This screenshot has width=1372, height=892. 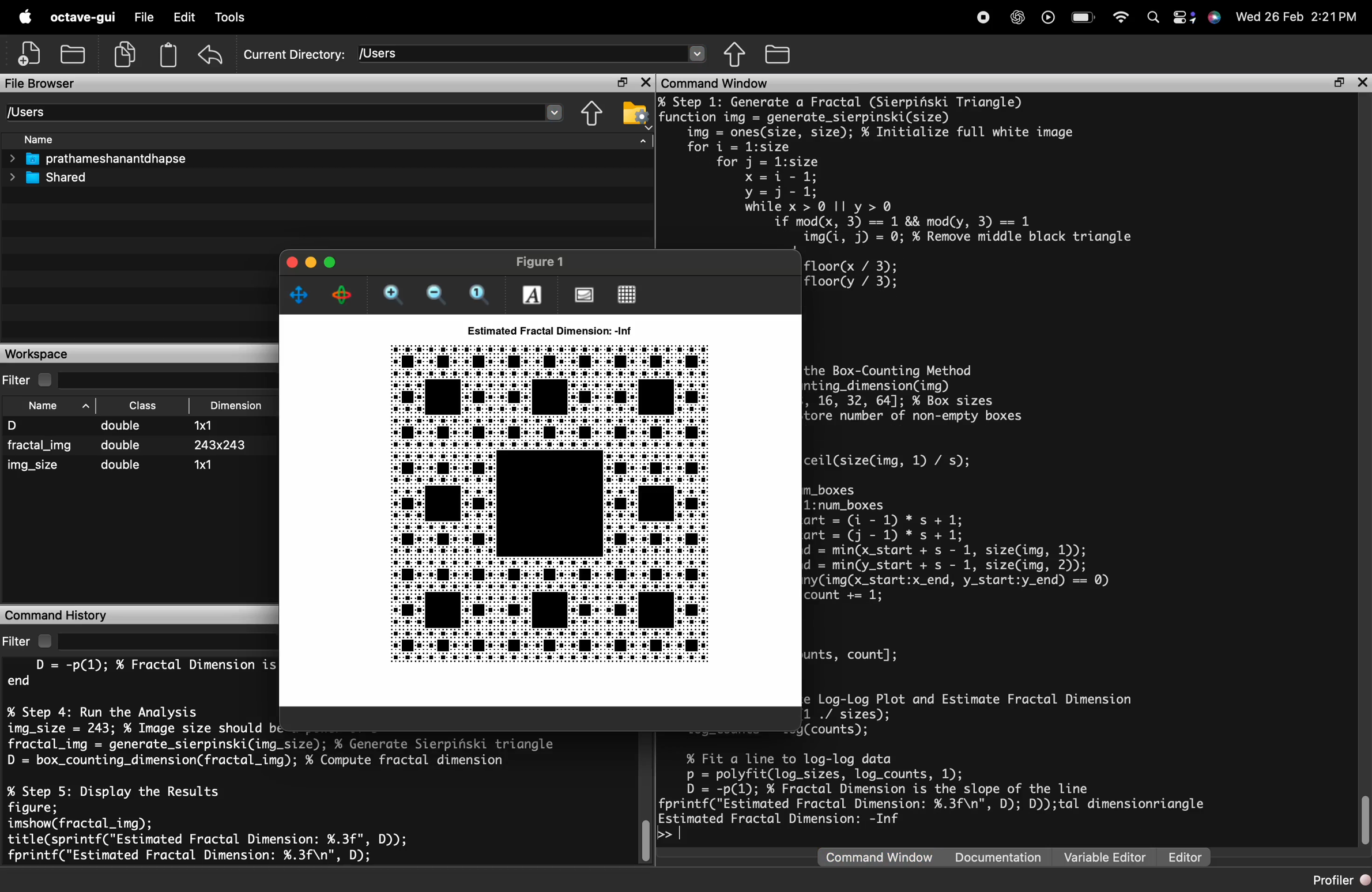 What do you see at coordinates (1106, 857) in the screenshot?
I see `Variable Editor` at bounding box center [1106, 857].